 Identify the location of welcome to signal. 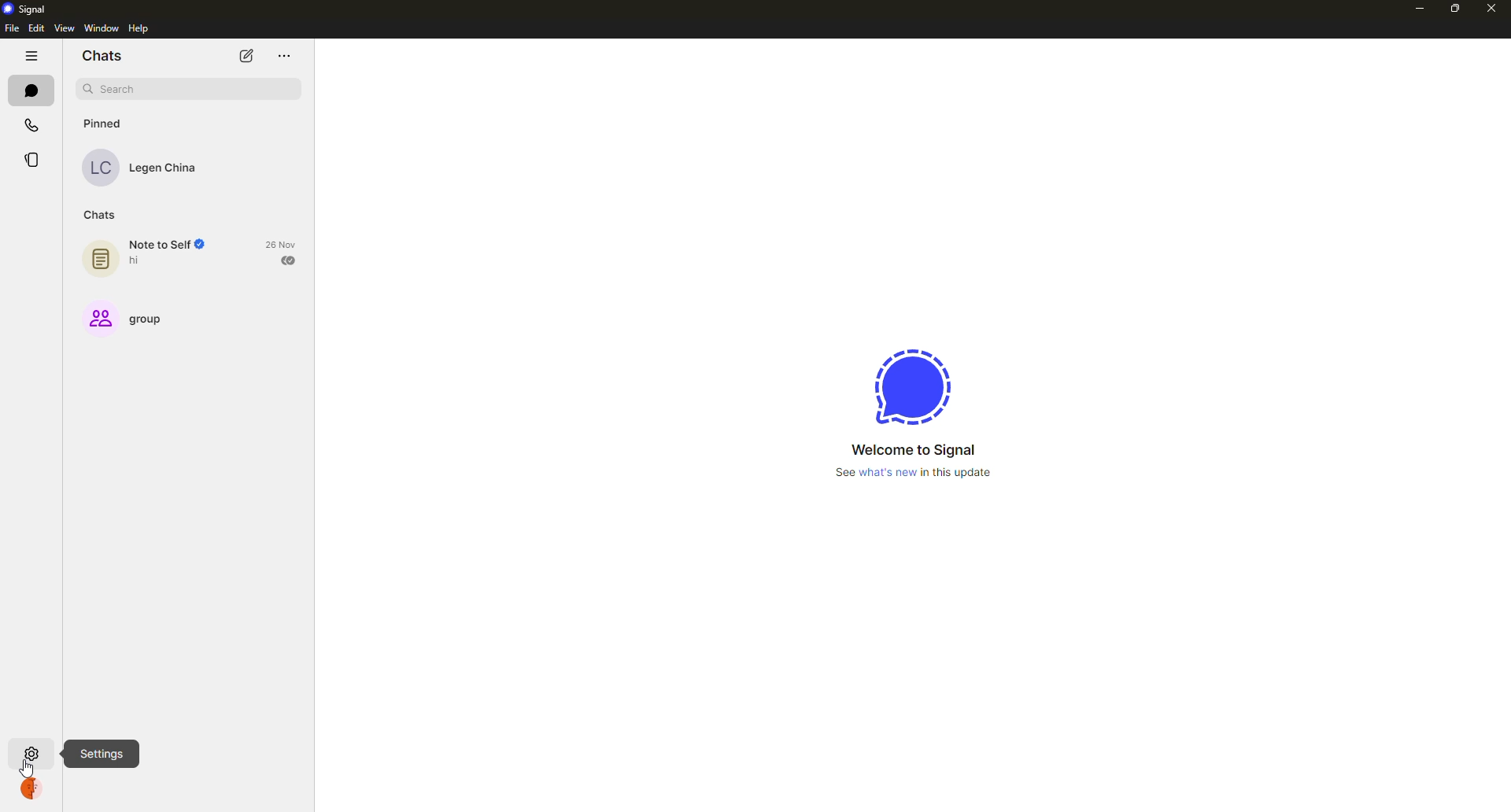
(912, 450).